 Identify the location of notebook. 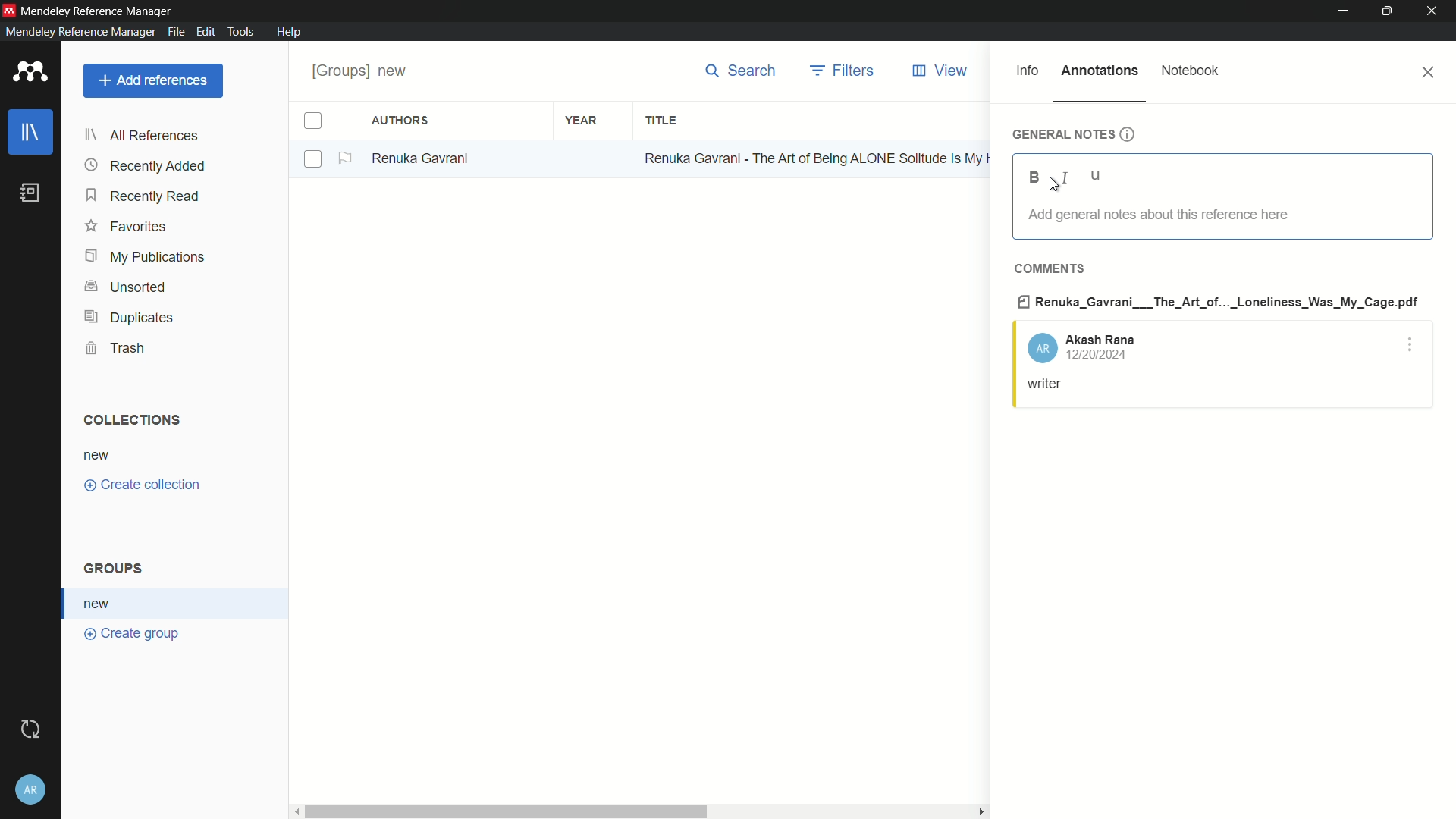
(1191, 70).